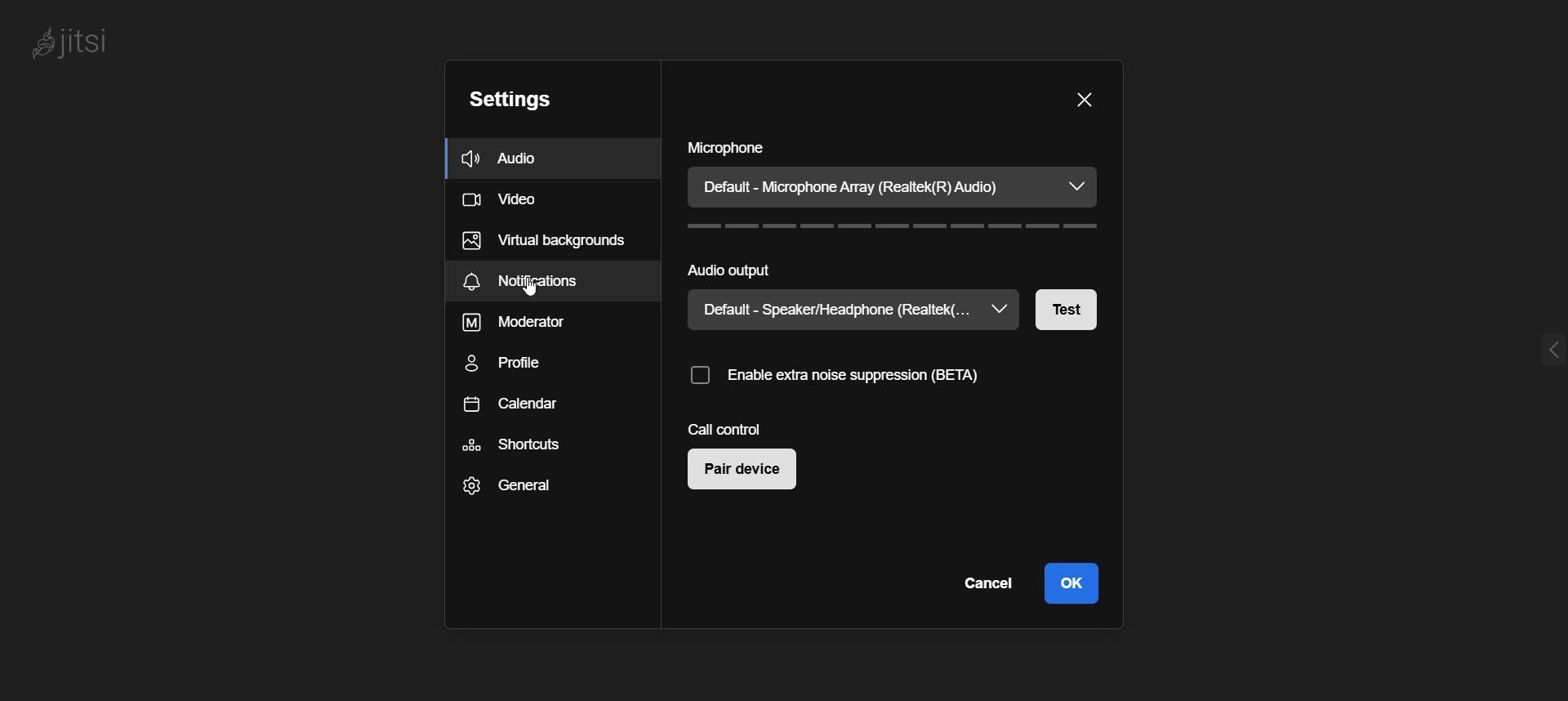  What do you see at coordinates (985, 581) in the screenshot?
I see `Cancel` at bounding box center [985, 581].